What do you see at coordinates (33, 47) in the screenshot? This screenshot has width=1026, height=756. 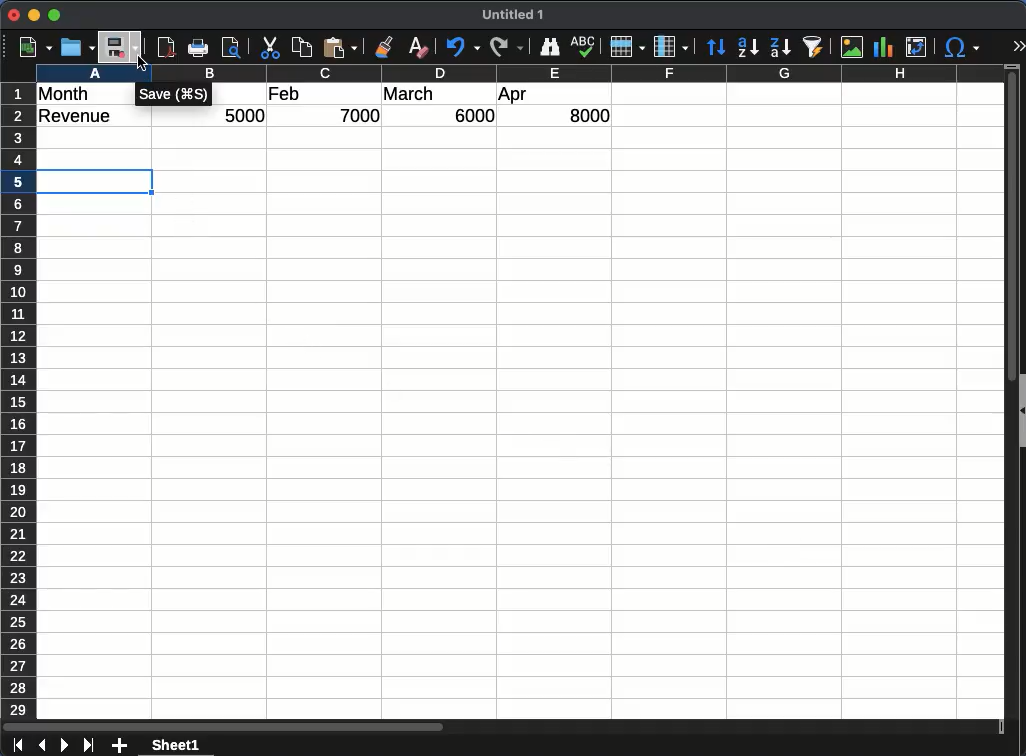 I see `new` at bounding box center [33, 47].